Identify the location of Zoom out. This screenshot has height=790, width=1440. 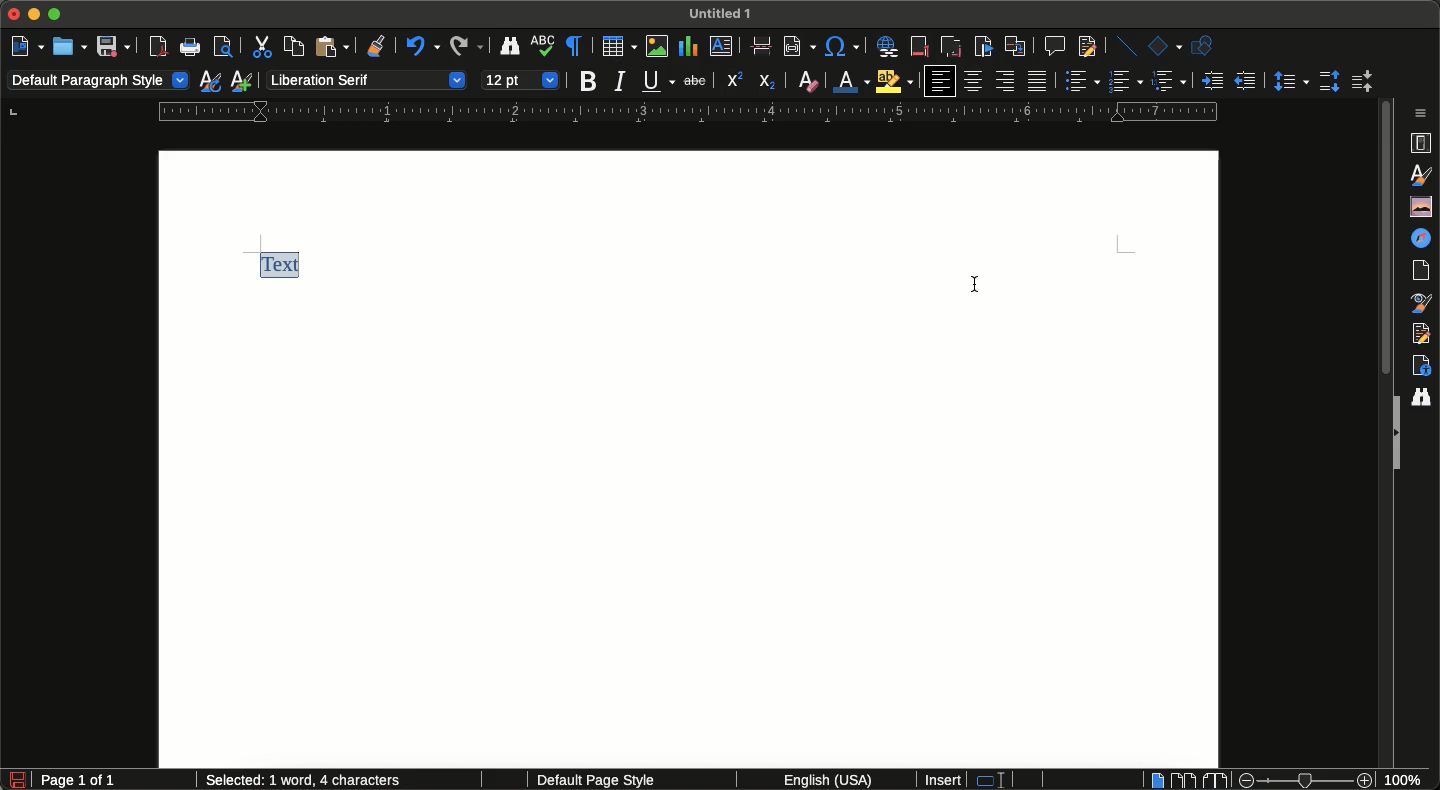
(1241, 780).